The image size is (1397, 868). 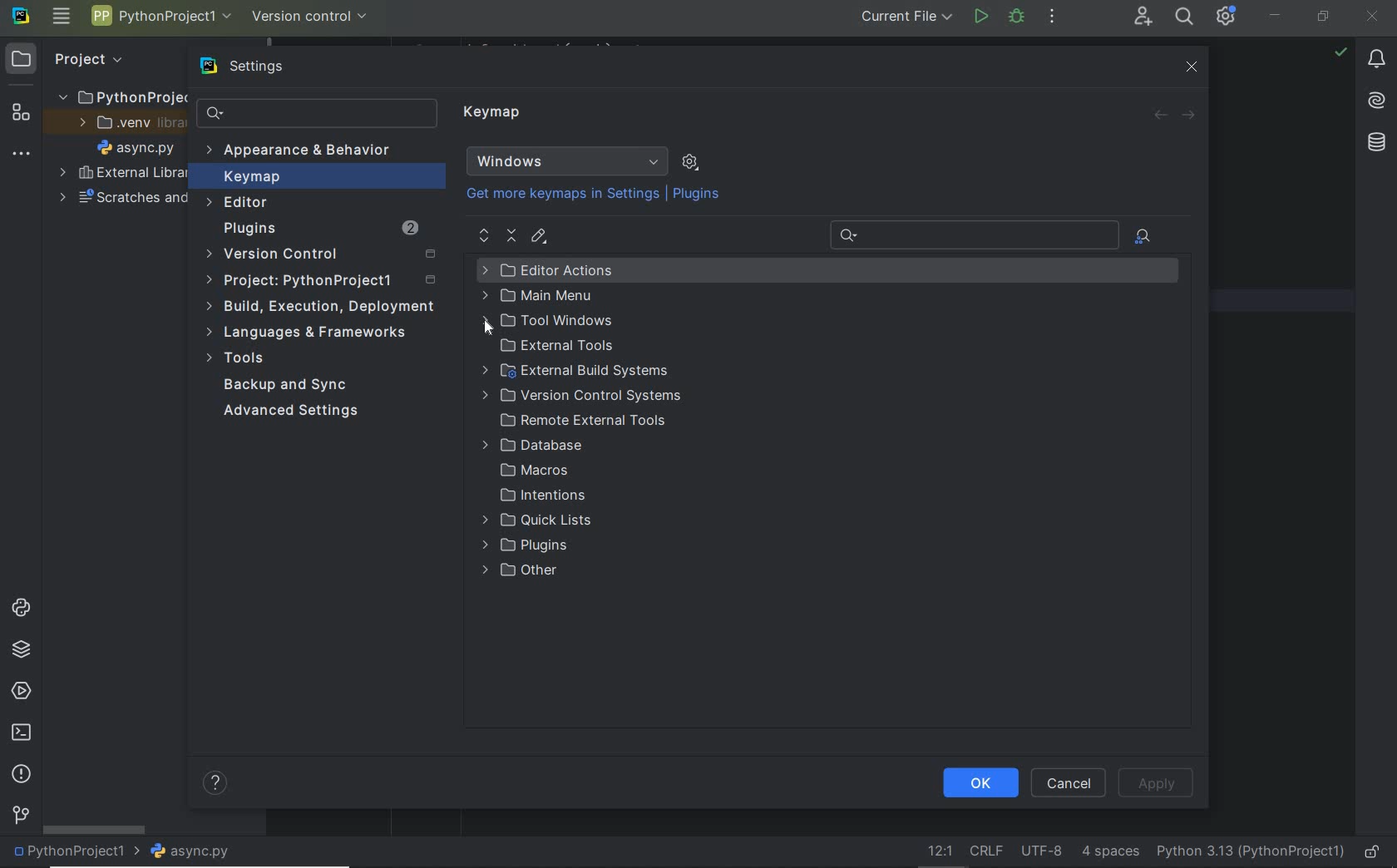 I want to click on Code With Me, so click(x=1143, y=17).